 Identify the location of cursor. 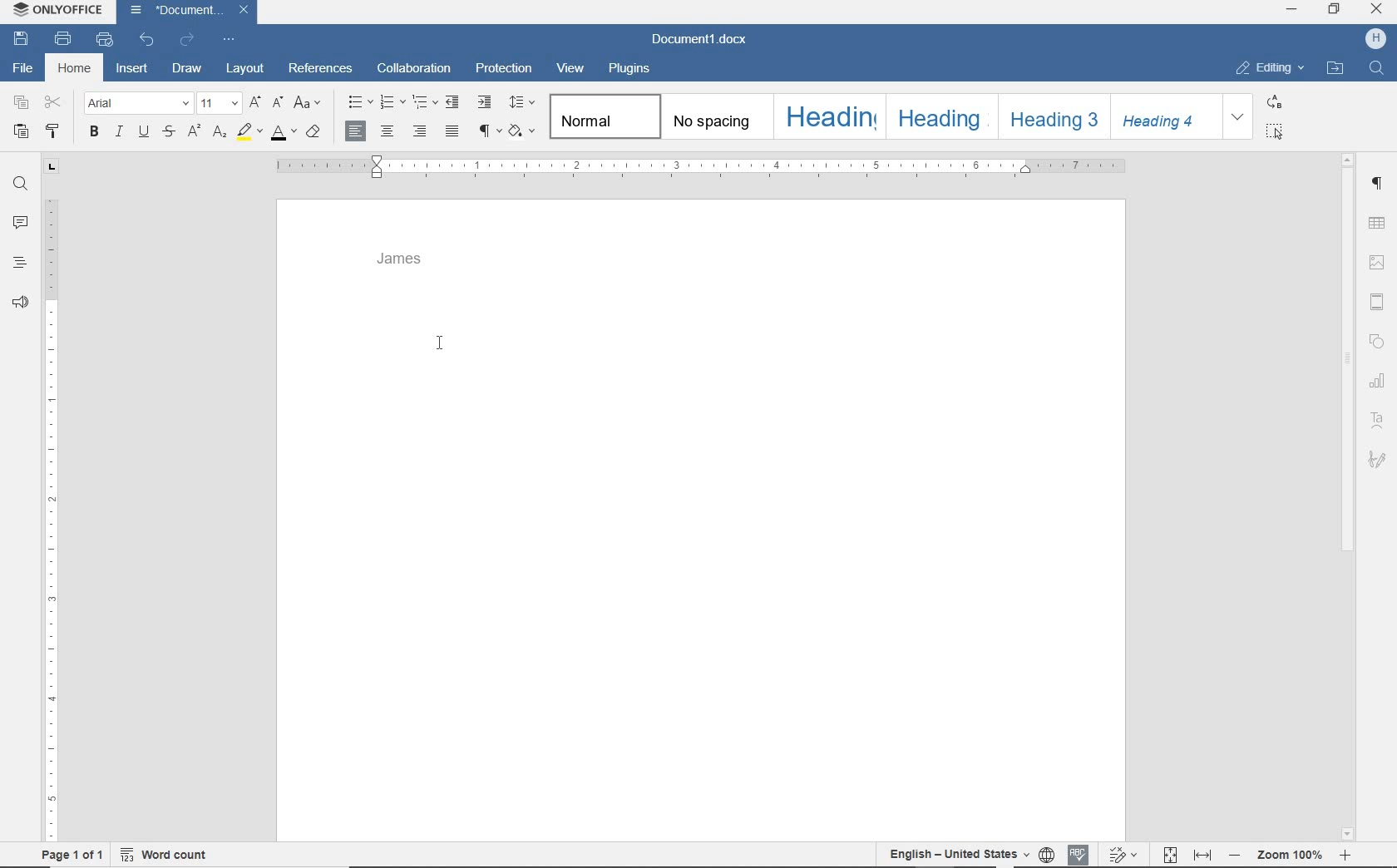
(441, 344).